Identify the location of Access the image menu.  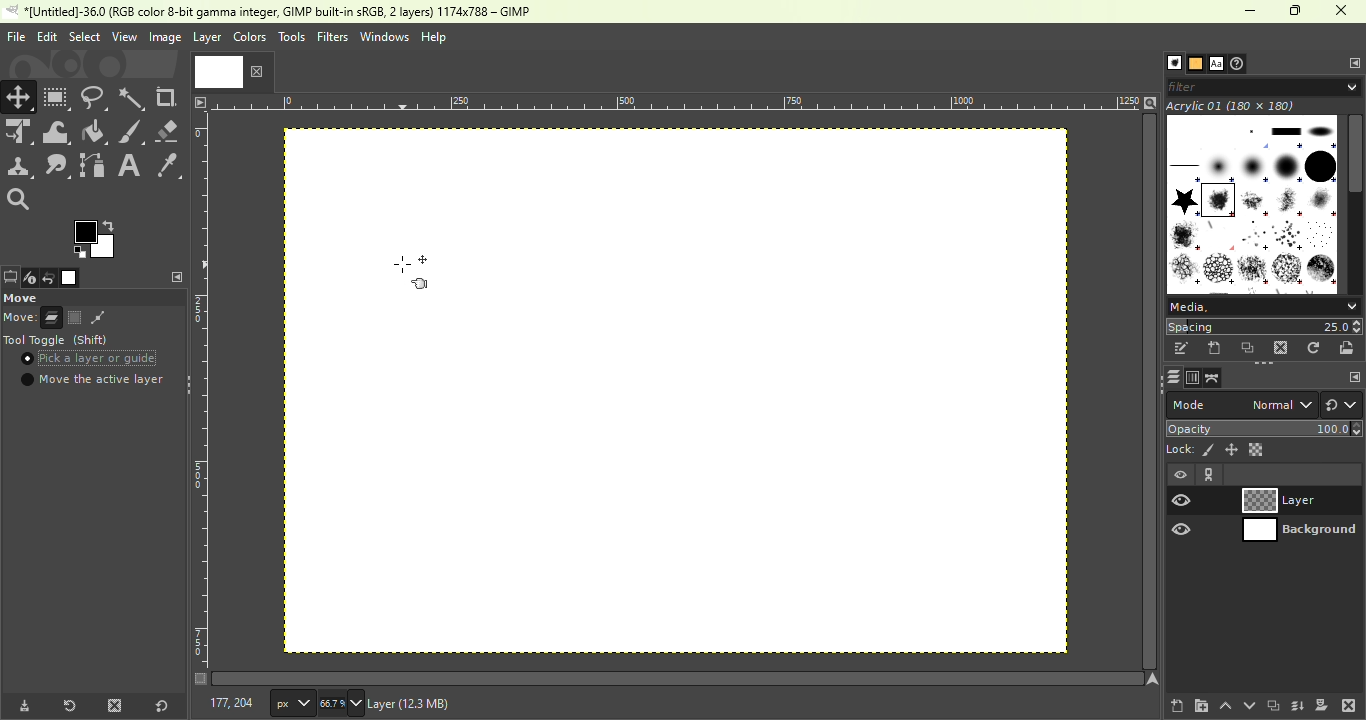
(200, 101).